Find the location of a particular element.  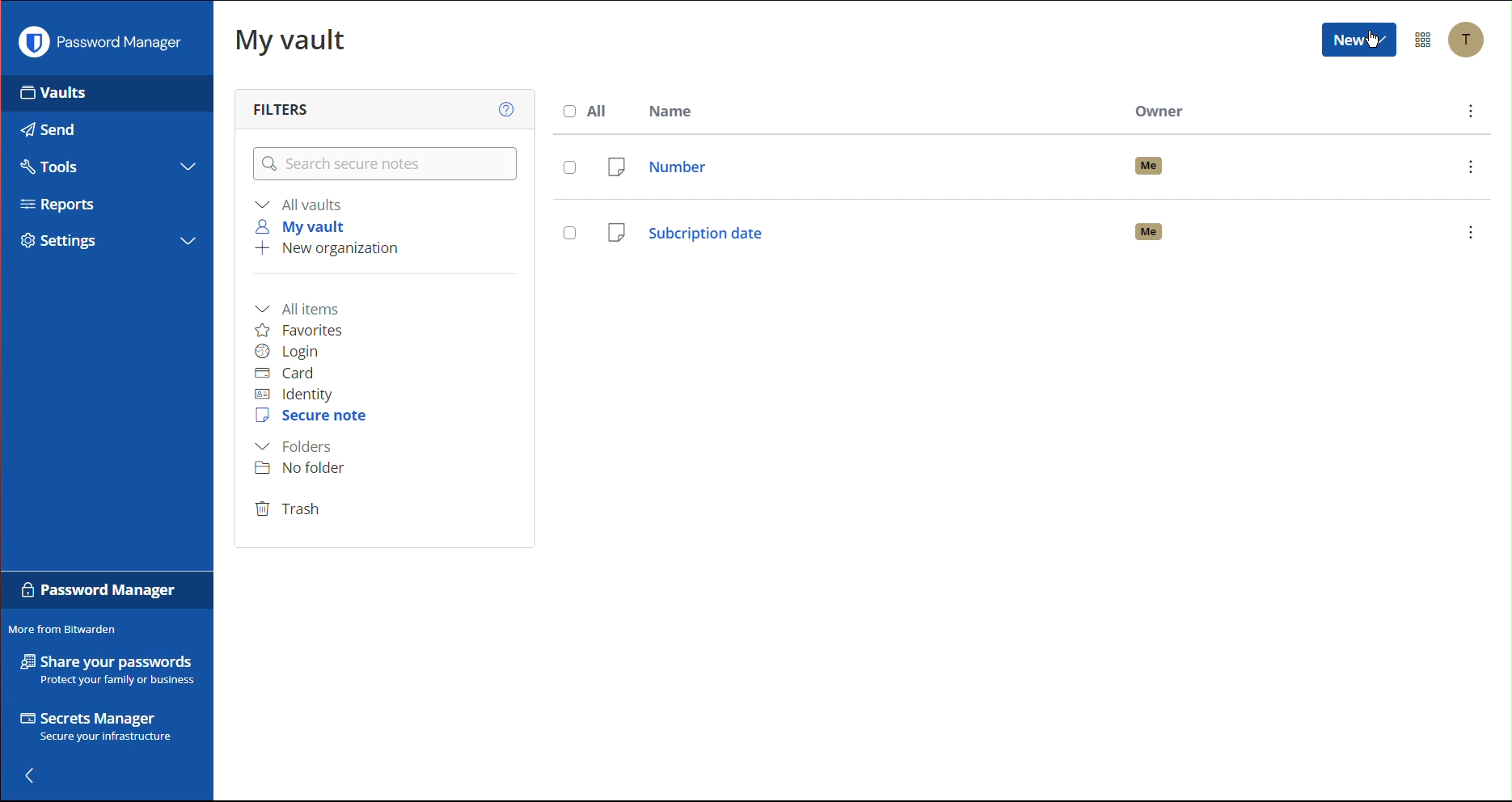

Name is located at coordinates (679, 111).